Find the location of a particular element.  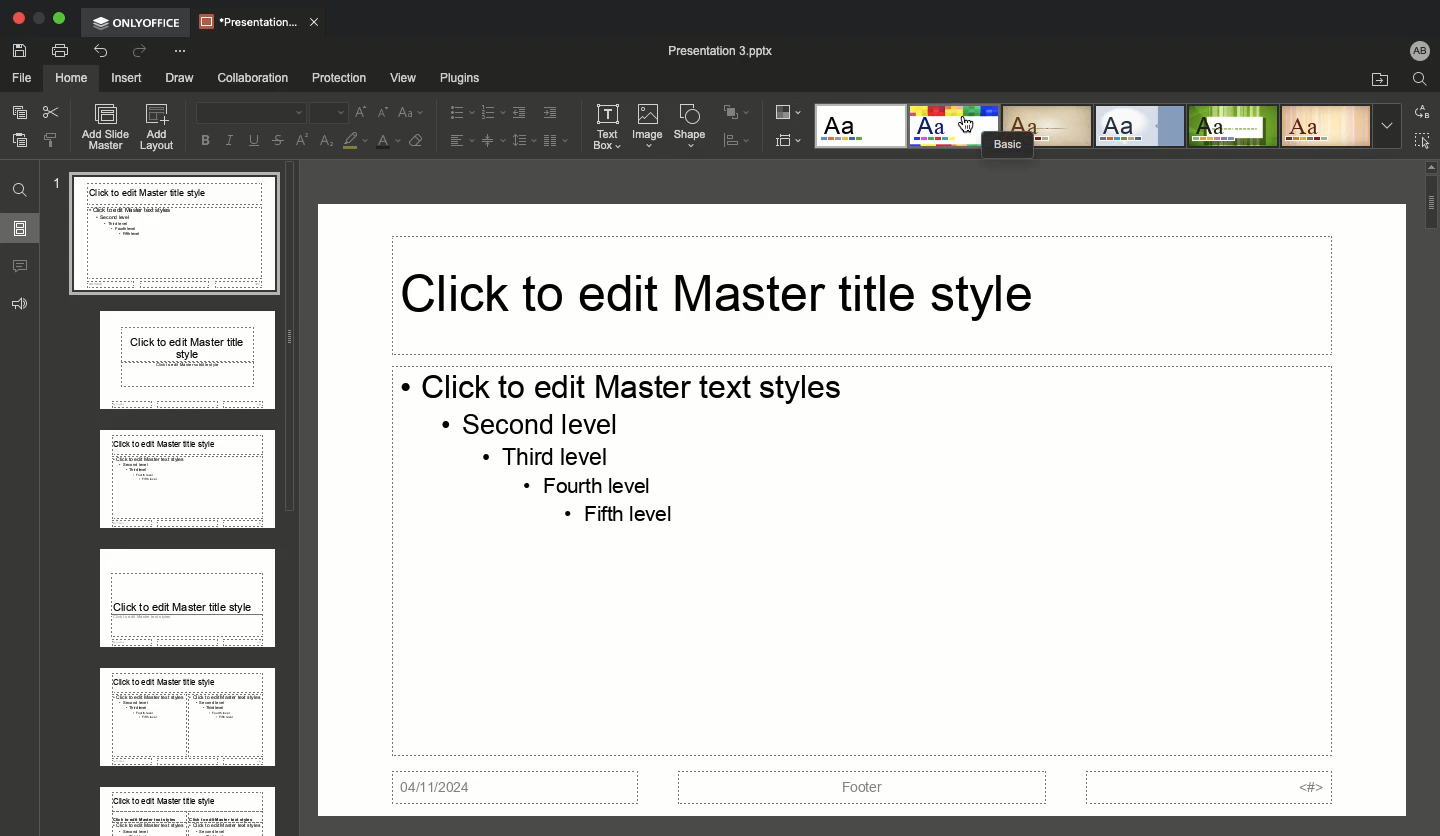

Customize quick access toolbar is located at coordinates (179, 52).